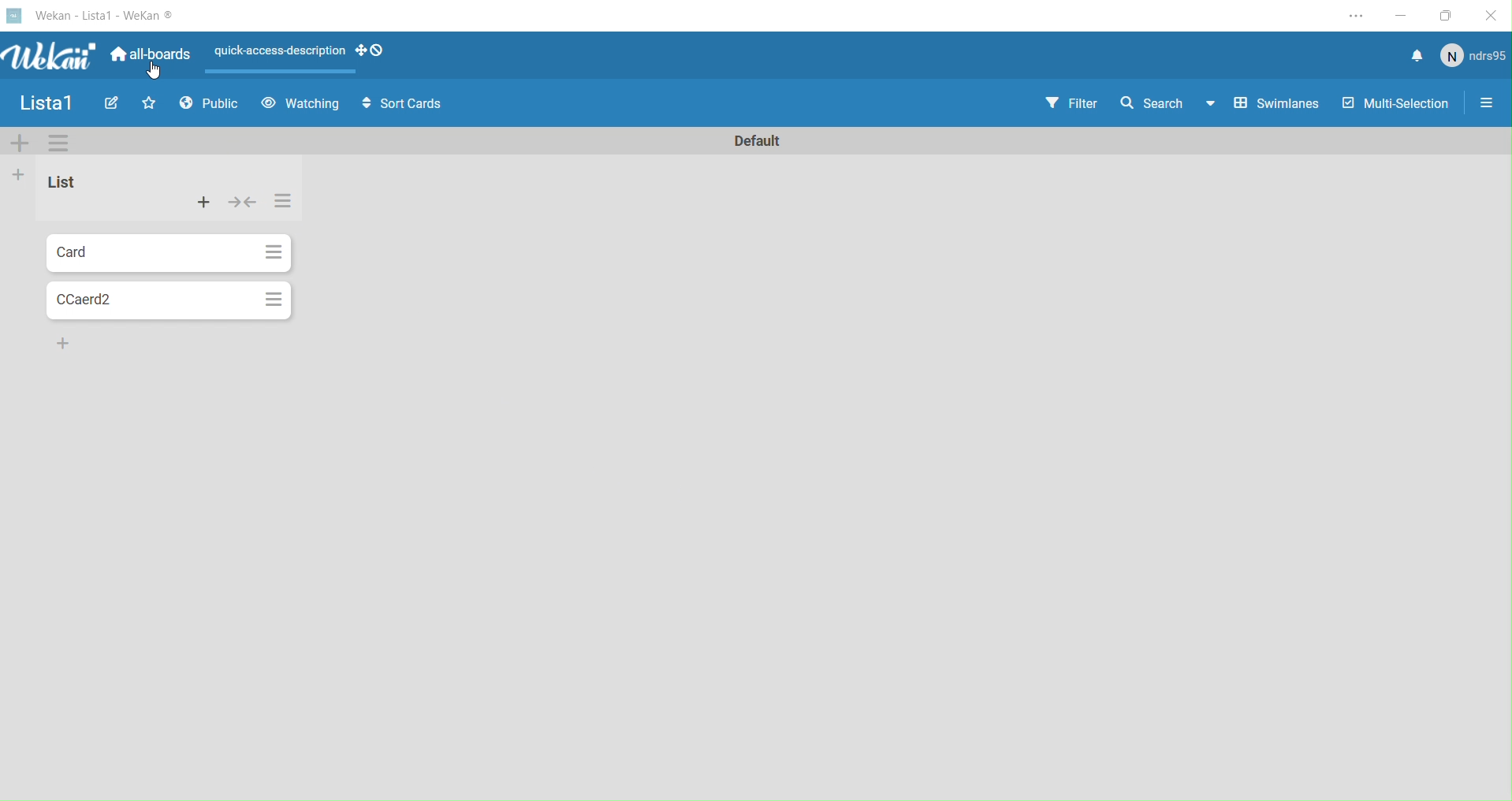 This screenshot has height=801, width=1512. What do you see at coordinates (1404, 13) in the screenshot?
I see `minimize` at bounding box center [1404, 13].